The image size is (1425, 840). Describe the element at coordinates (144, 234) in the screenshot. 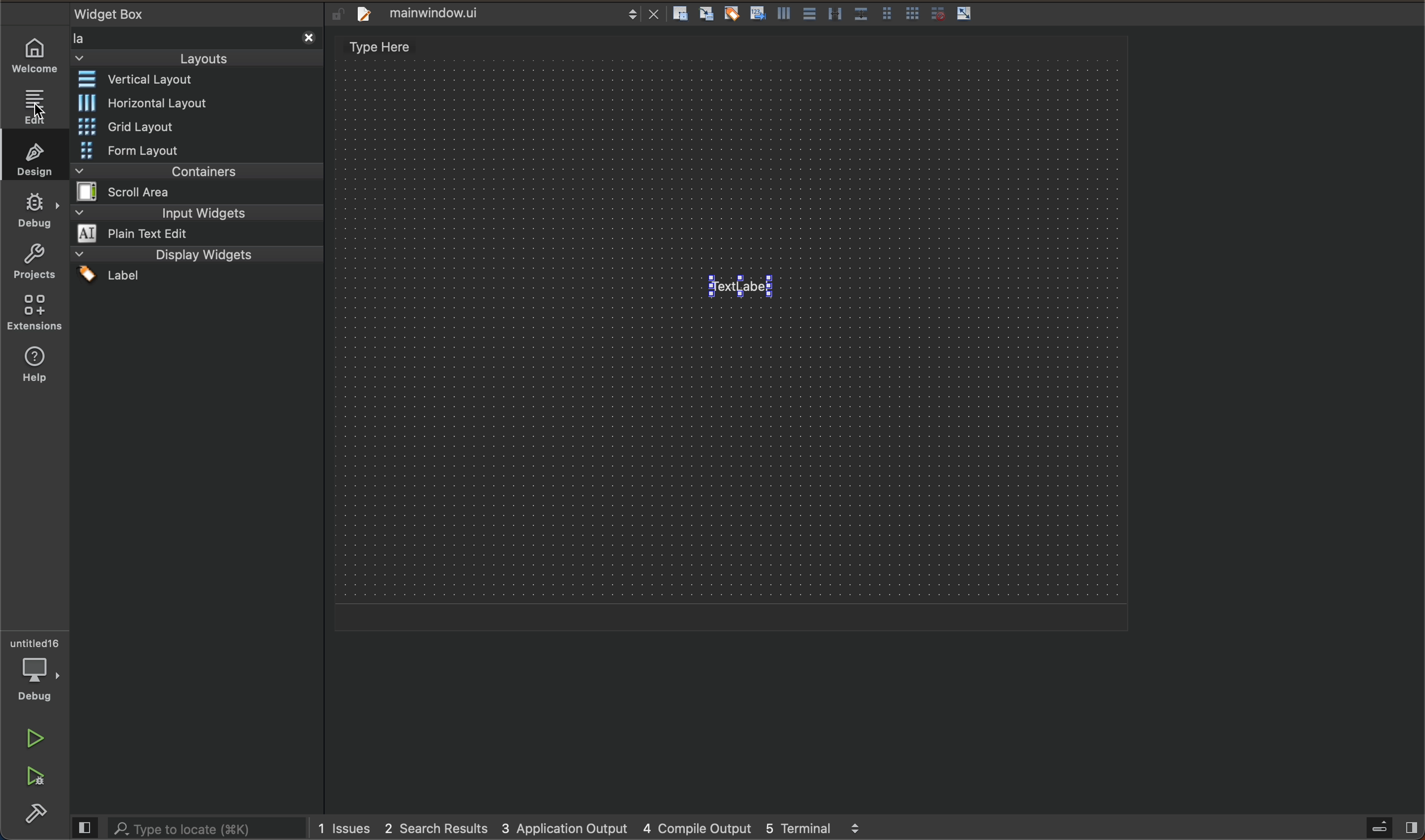

I see `Plain Text Edit` at that location.